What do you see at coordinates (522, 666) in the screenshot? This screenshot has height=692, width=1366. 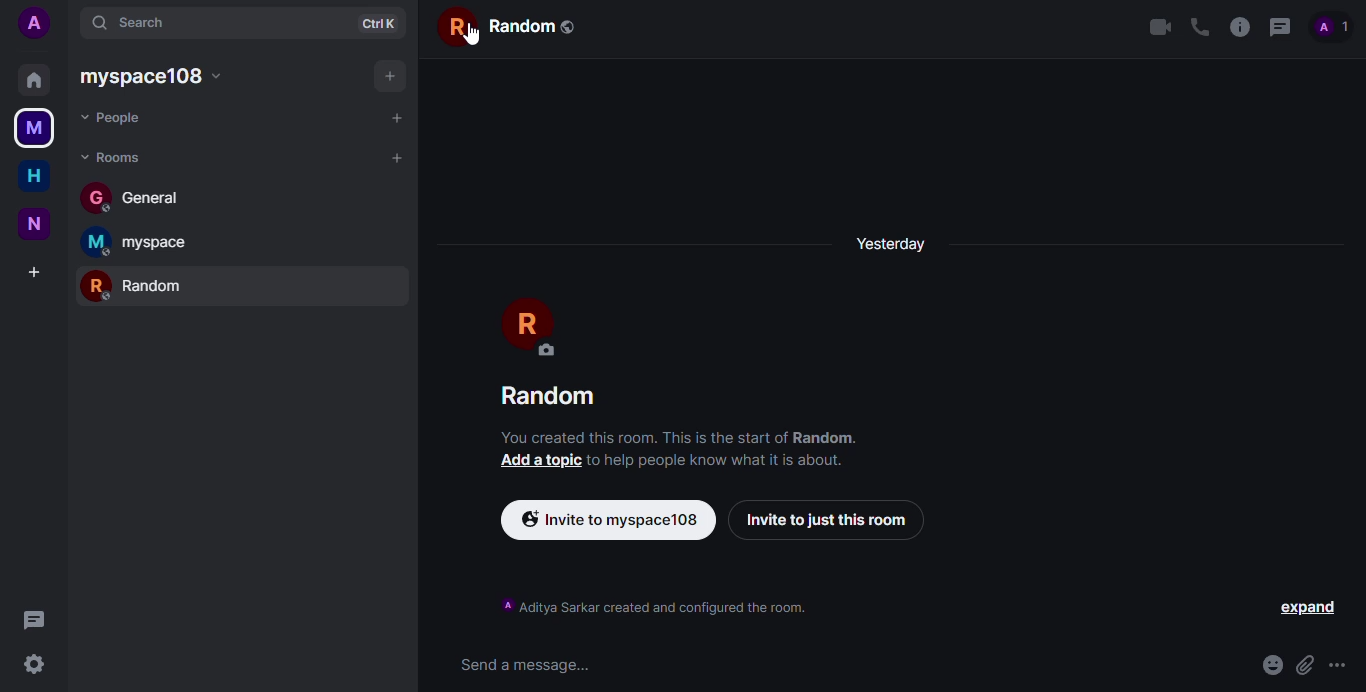 I see `send message` at bounding box center [522, 666].